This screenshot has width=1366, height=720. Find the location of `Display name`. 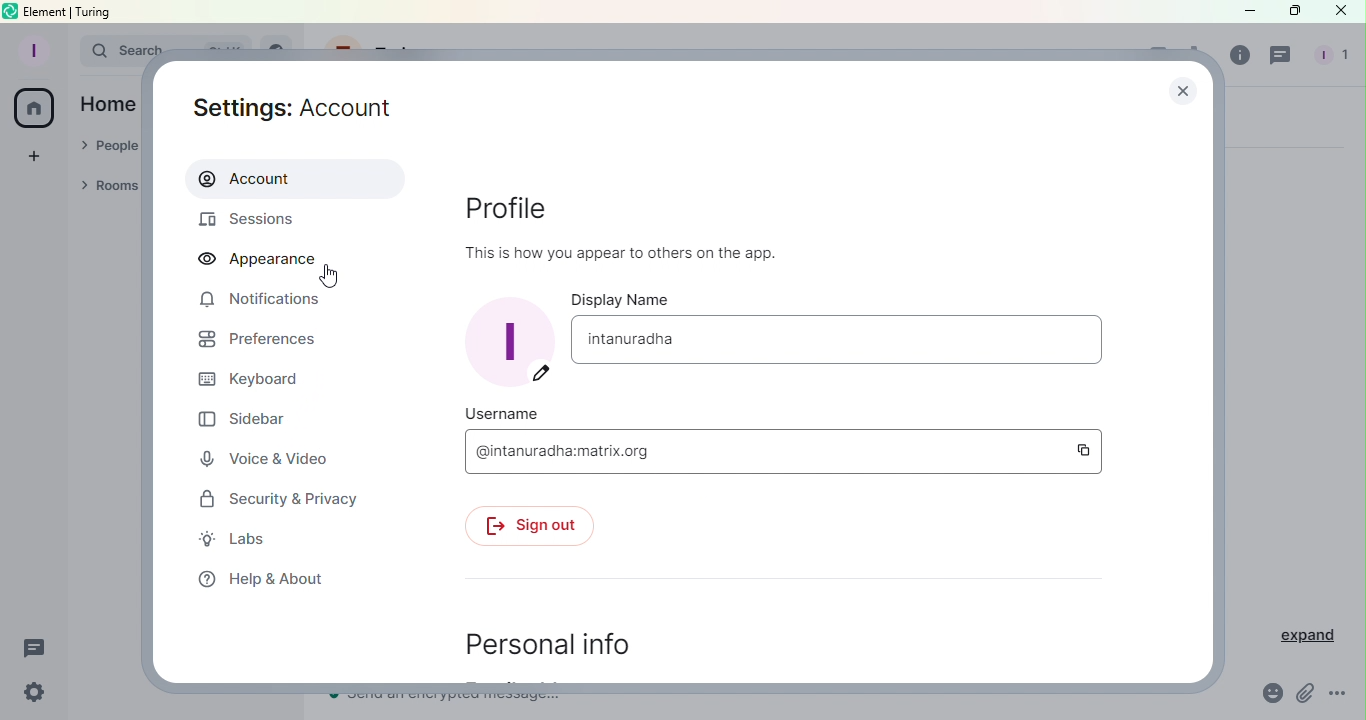

Display name is located at coordinates (839, 338).